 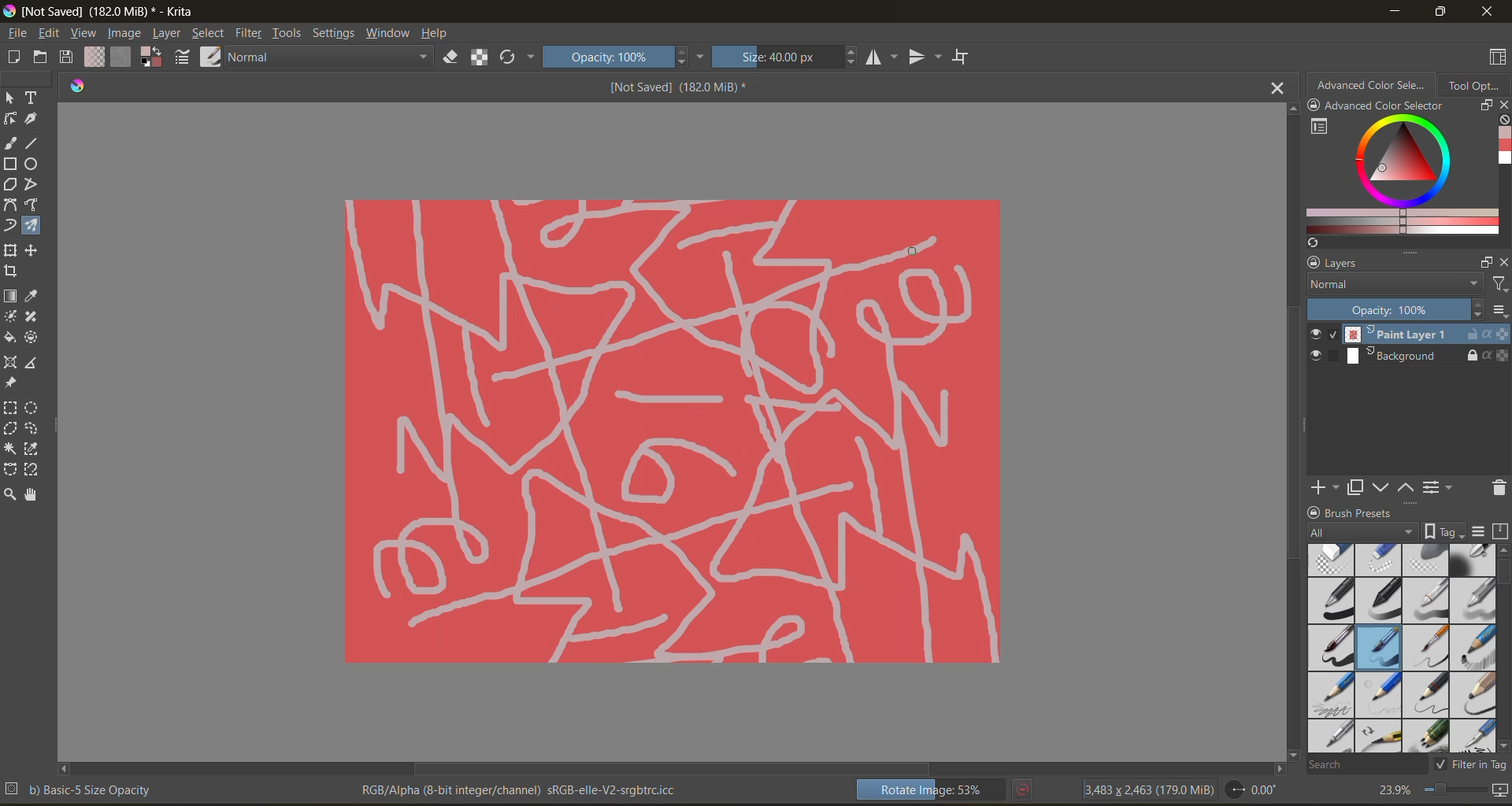 What do you see at coordinates (11, 57) in the screenshot?
I see `create` at bounding box center [11, 57].